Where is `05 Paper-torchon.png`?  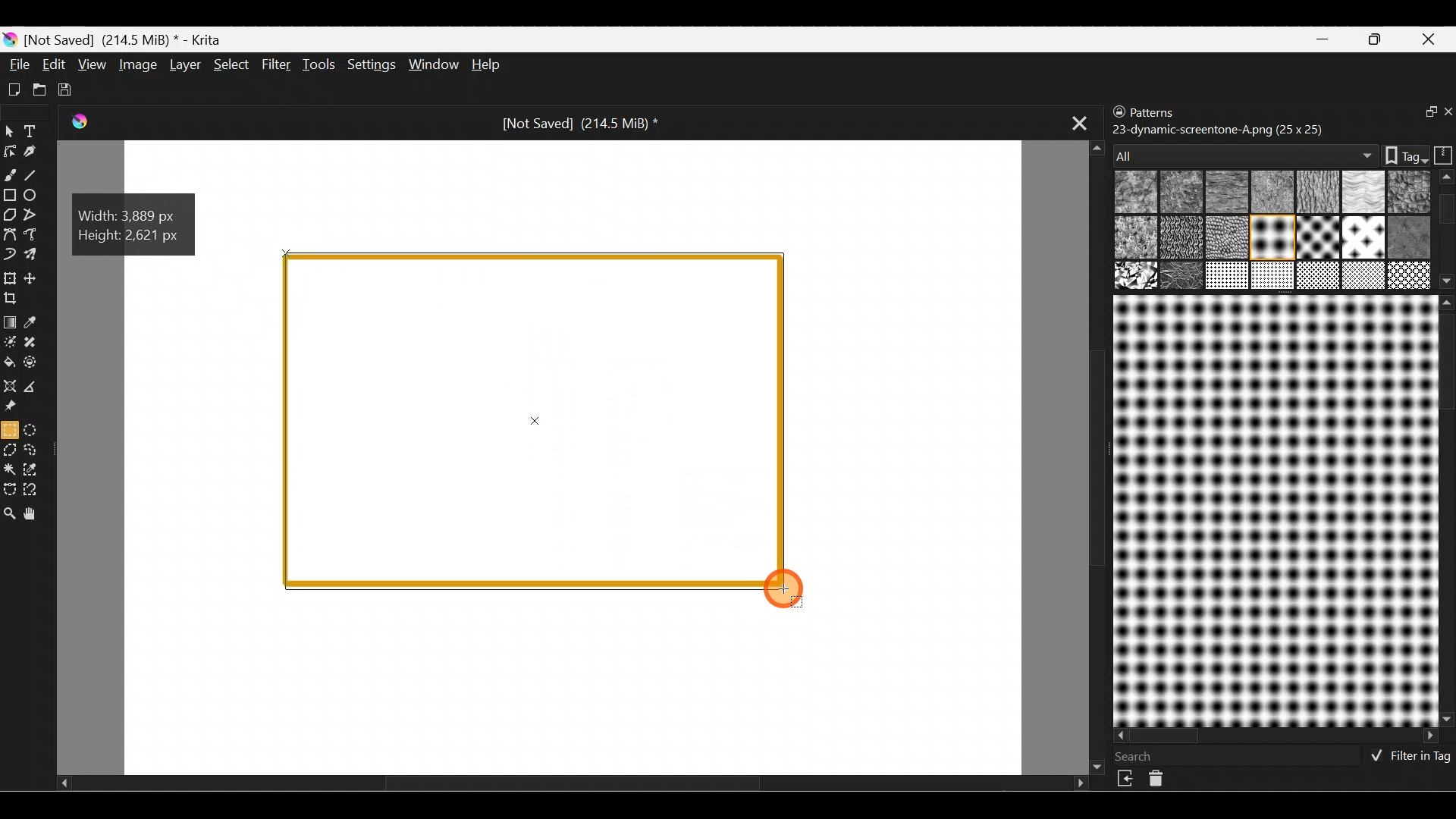
05 Paper-torchon.png is located at coordinates (1359, 193).